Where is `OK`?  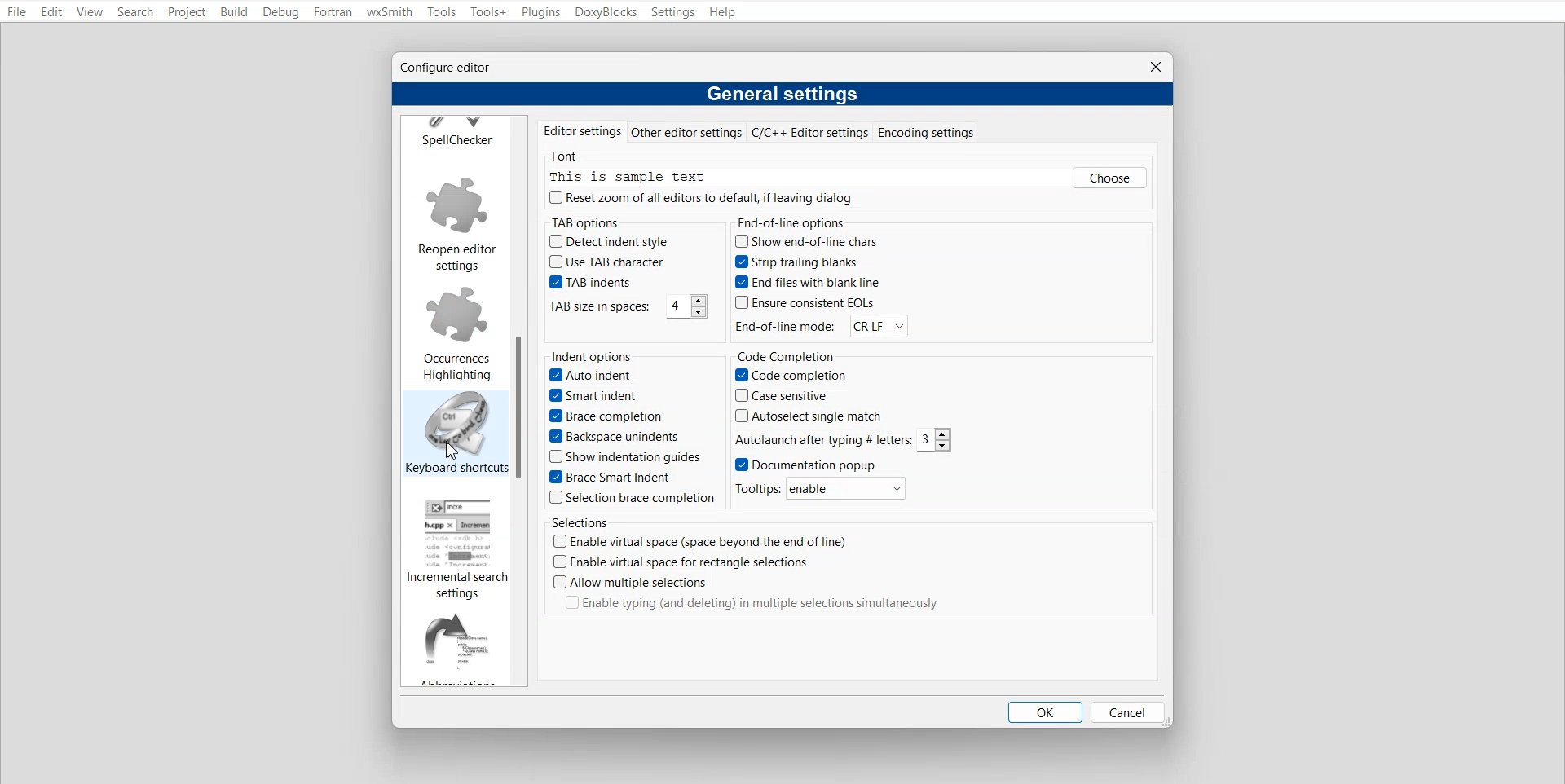 OK is located at coordinates (1043, 711).